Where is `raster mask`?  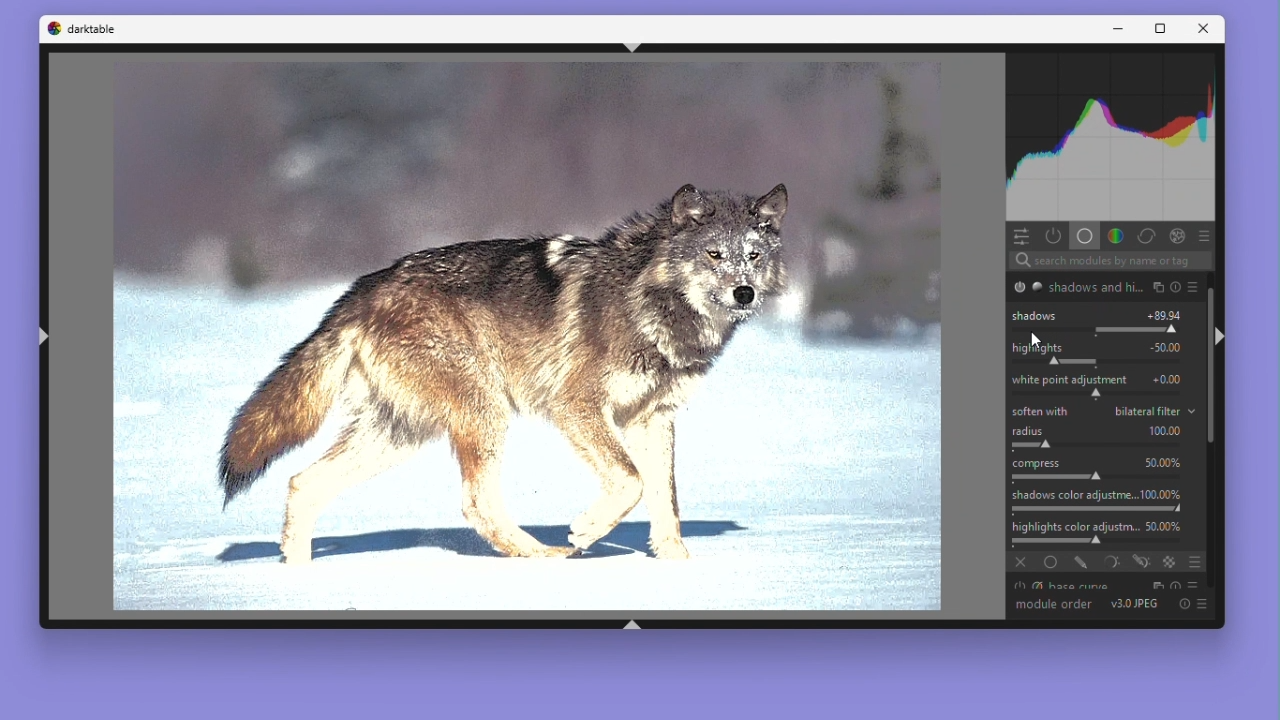 raster mask is located at coordinates (1171, 564).